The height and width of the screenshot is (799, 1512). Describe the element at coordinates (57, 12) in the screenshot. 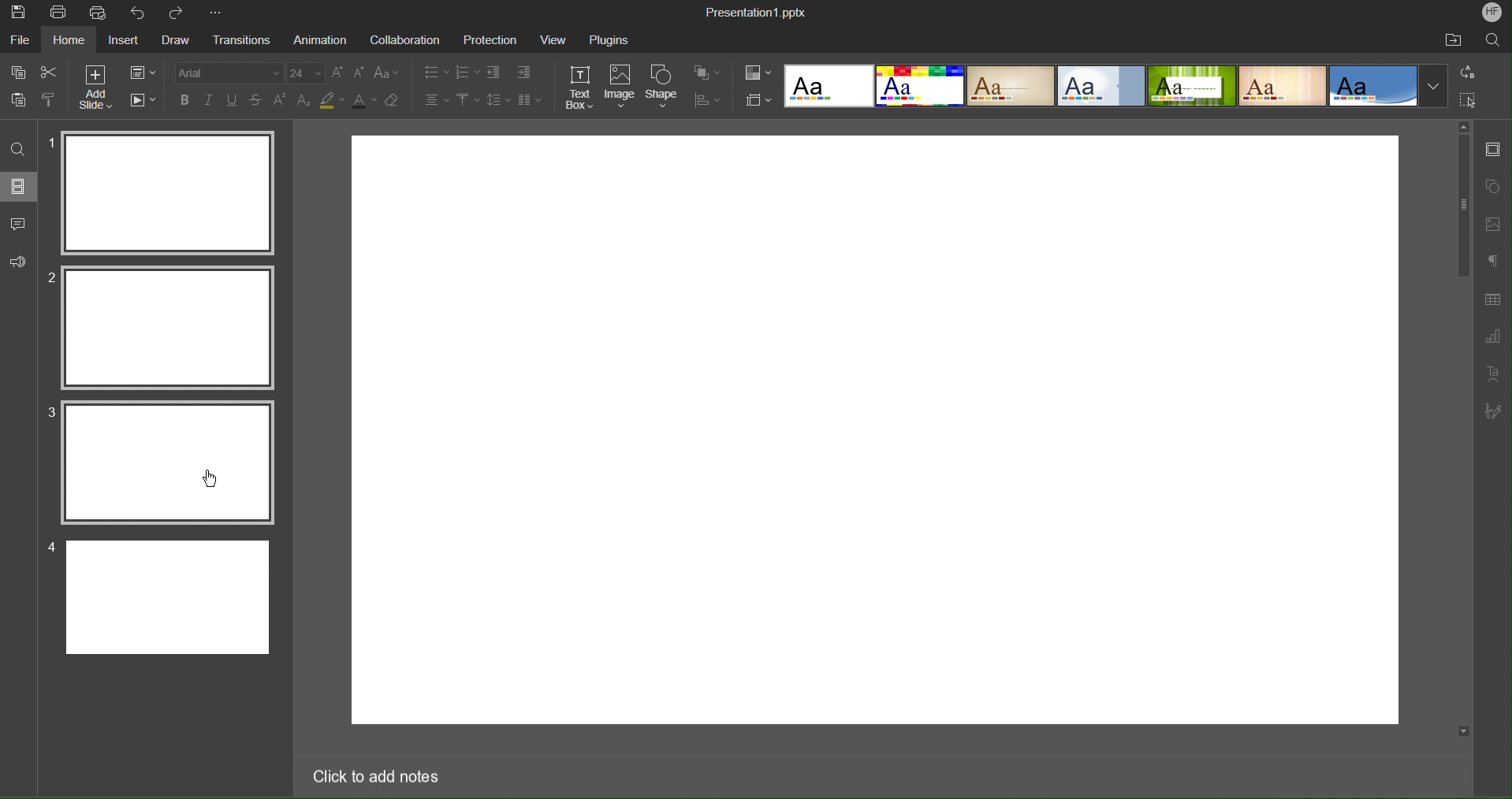

I see `Print` at that location.